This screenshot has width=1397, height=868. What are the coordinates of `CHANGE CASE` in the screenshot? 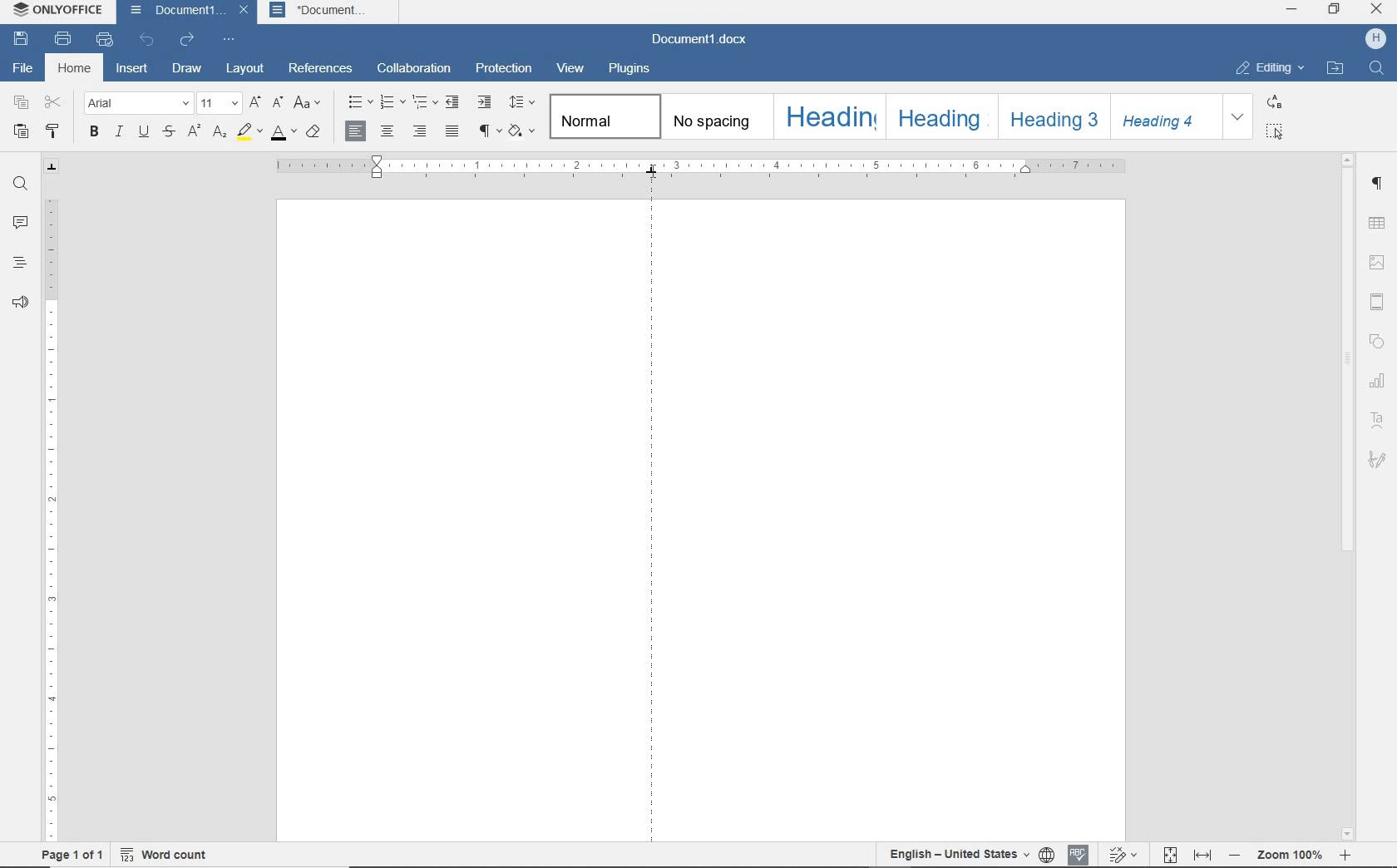 It's located at (309, 104).